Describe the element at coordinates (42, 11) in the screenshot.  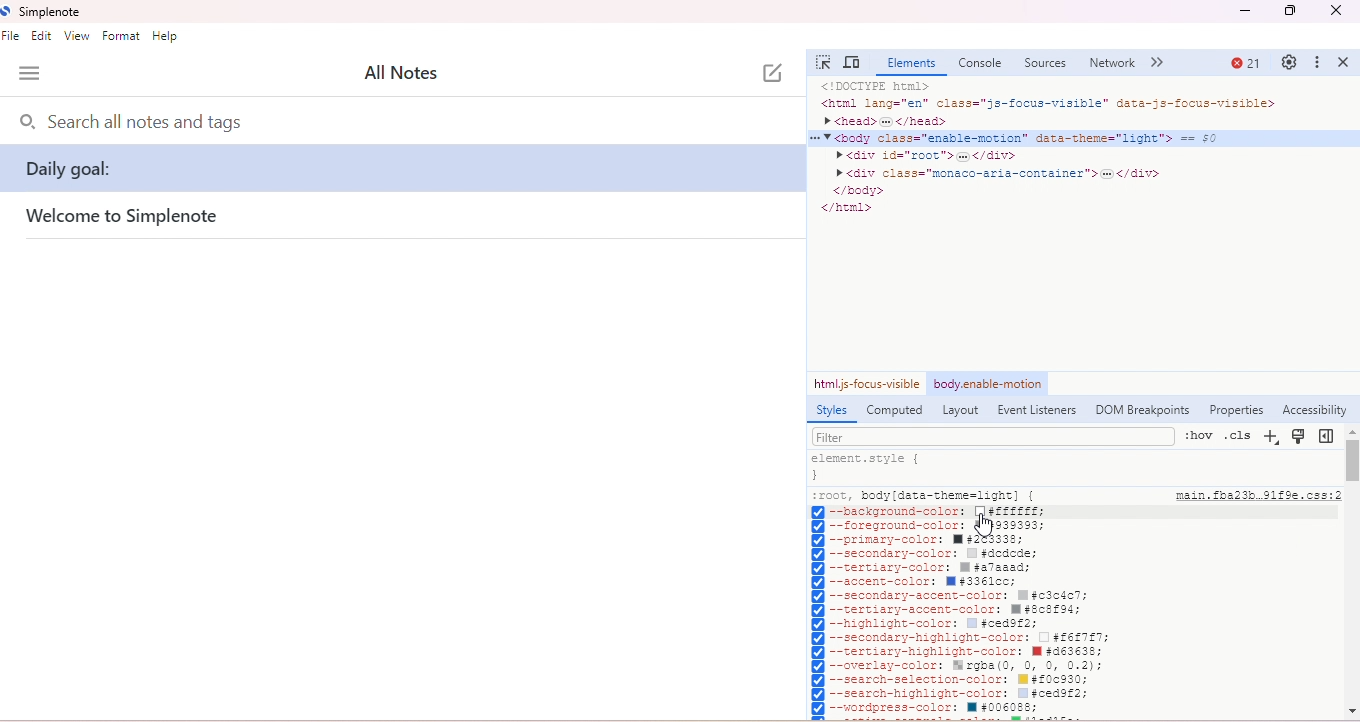
I see `simplenote` at that location.